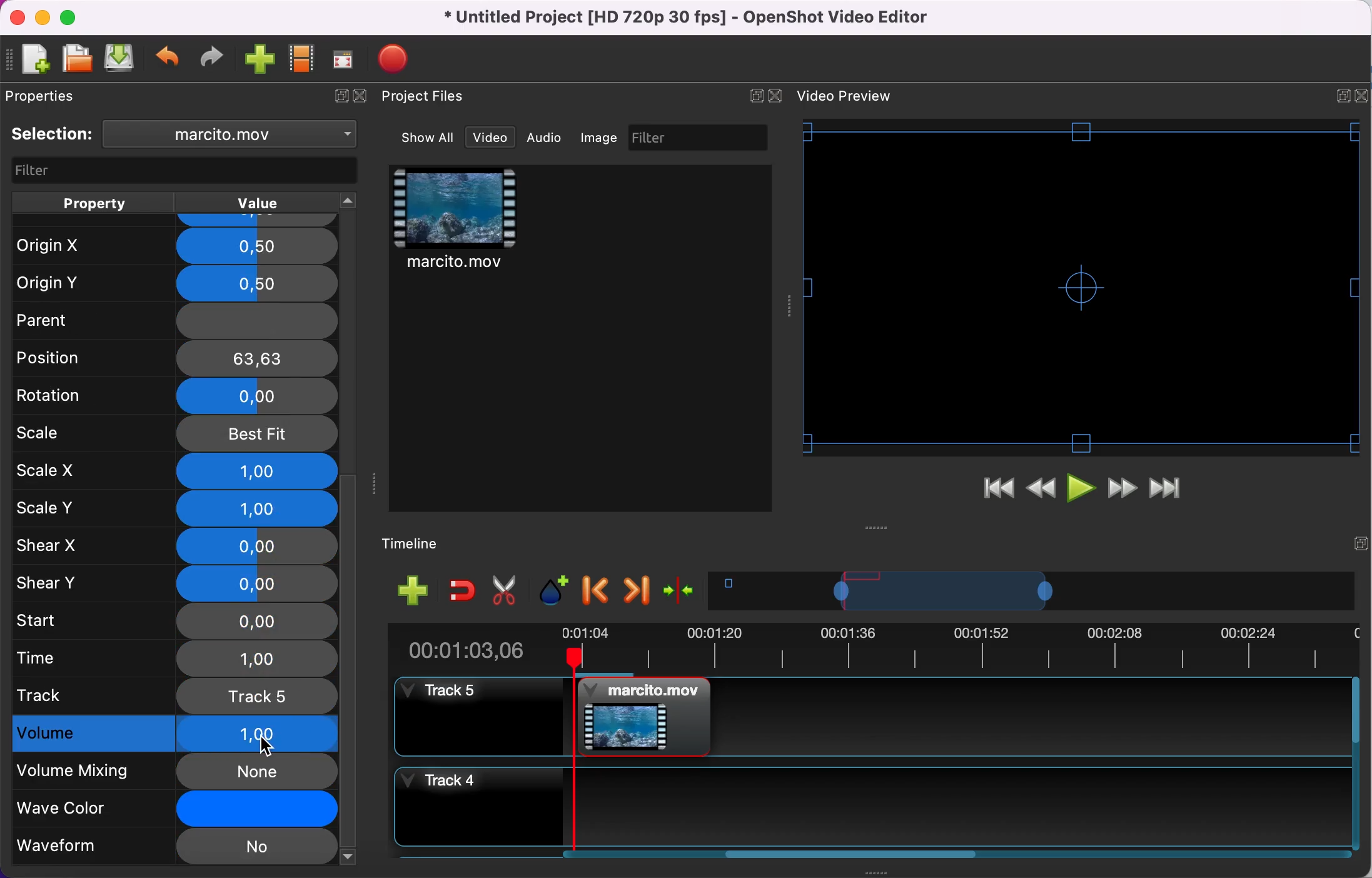 This screenshot has height=878, width=1372. I want to click on Close, so click(774, 96).